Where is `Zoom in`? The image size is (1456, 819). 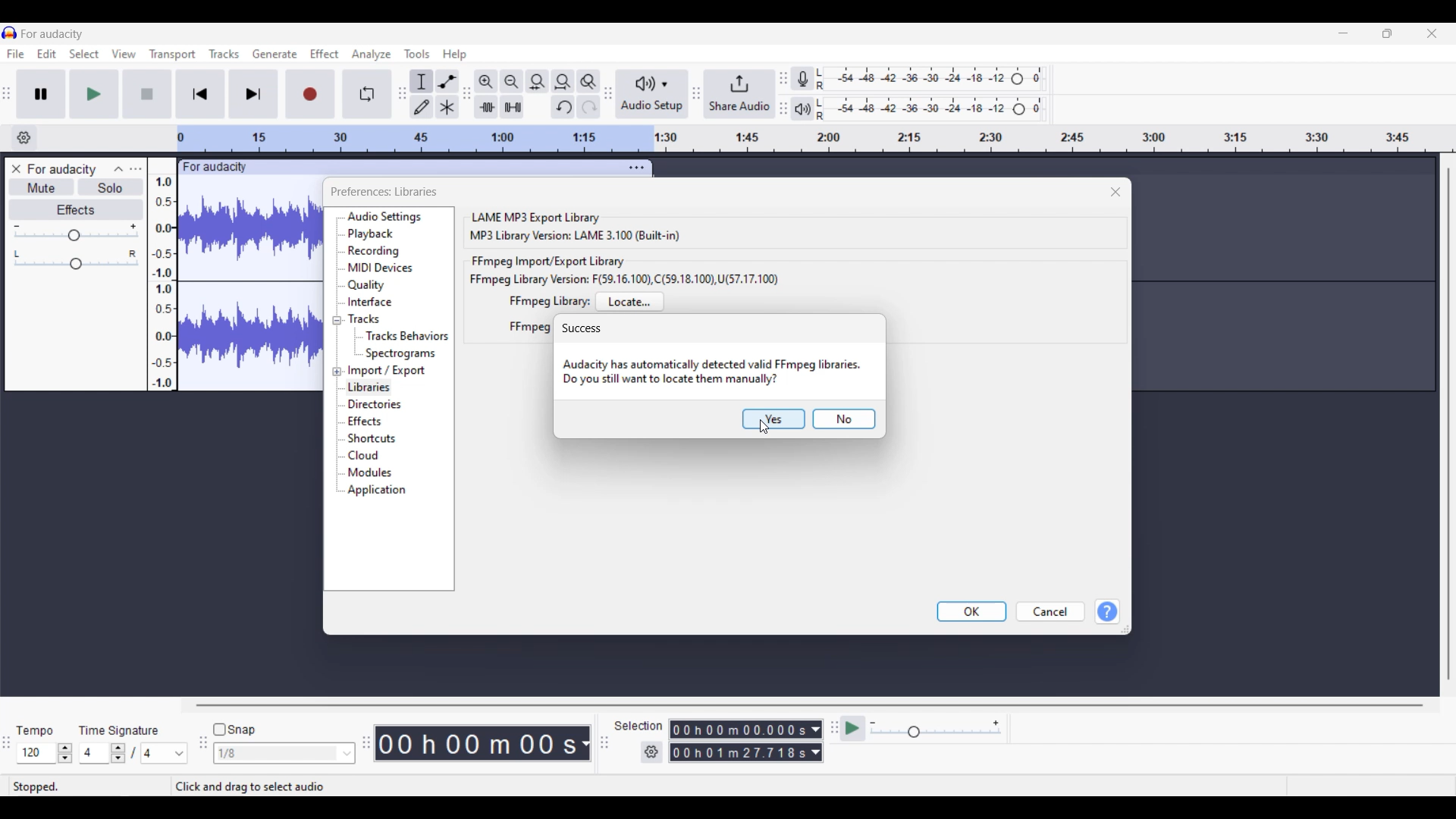 Zoom in is located at coordinates (486, 82).